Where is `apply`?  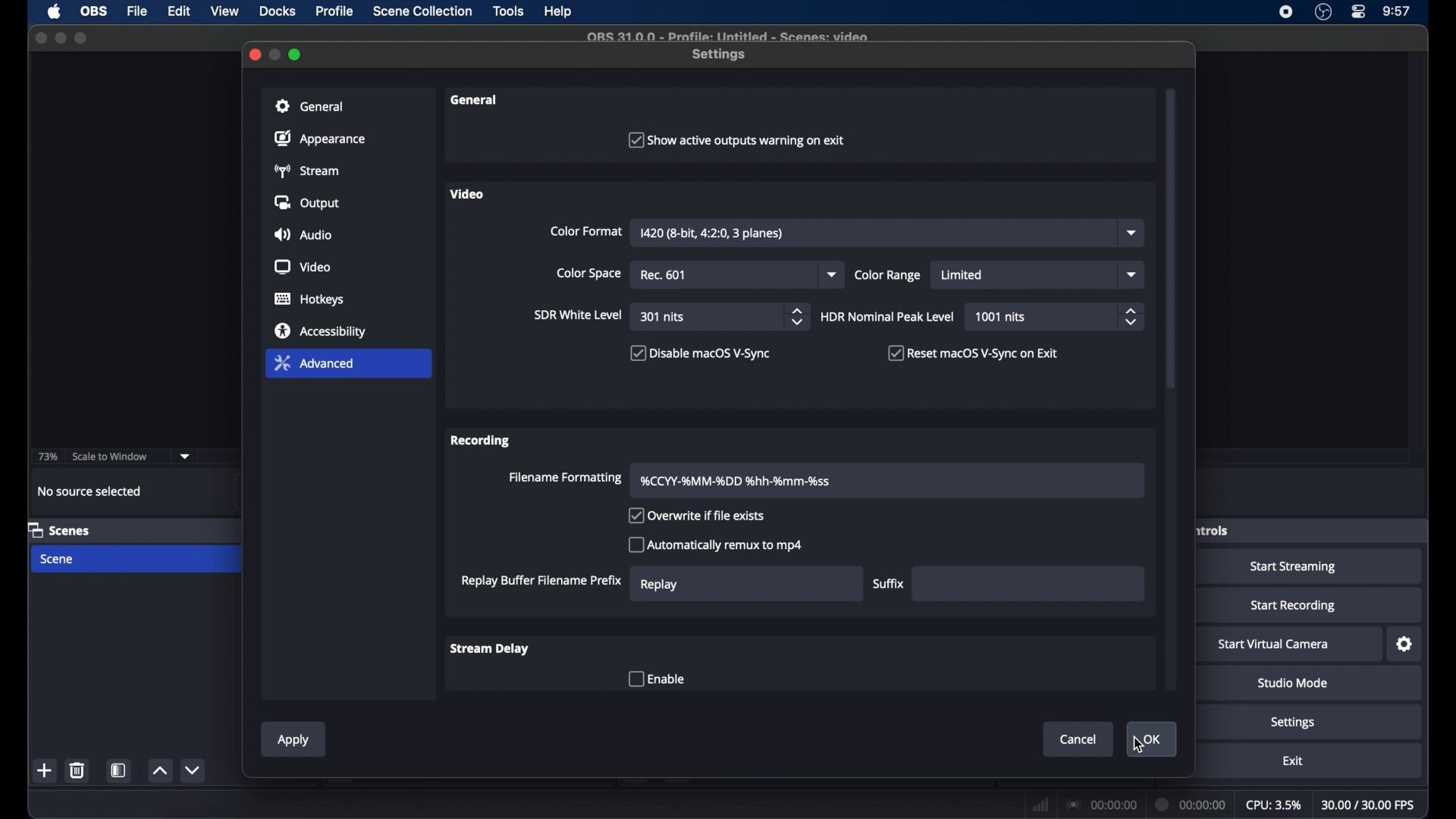
apply is located at coordinates (293, 742).